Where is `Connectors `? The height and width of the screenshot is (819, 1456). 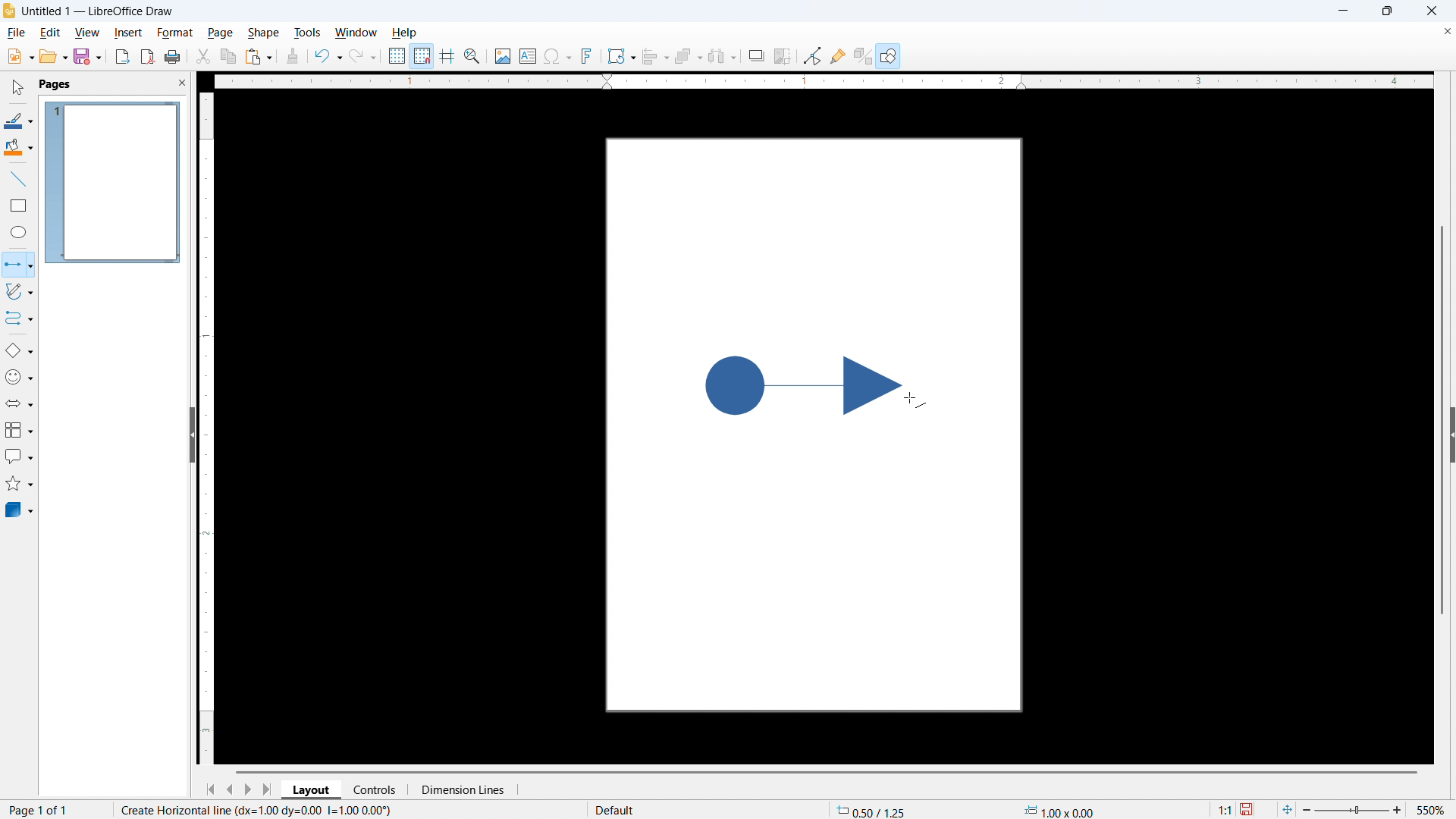
Connectors  is located at coordinates (20, 318).